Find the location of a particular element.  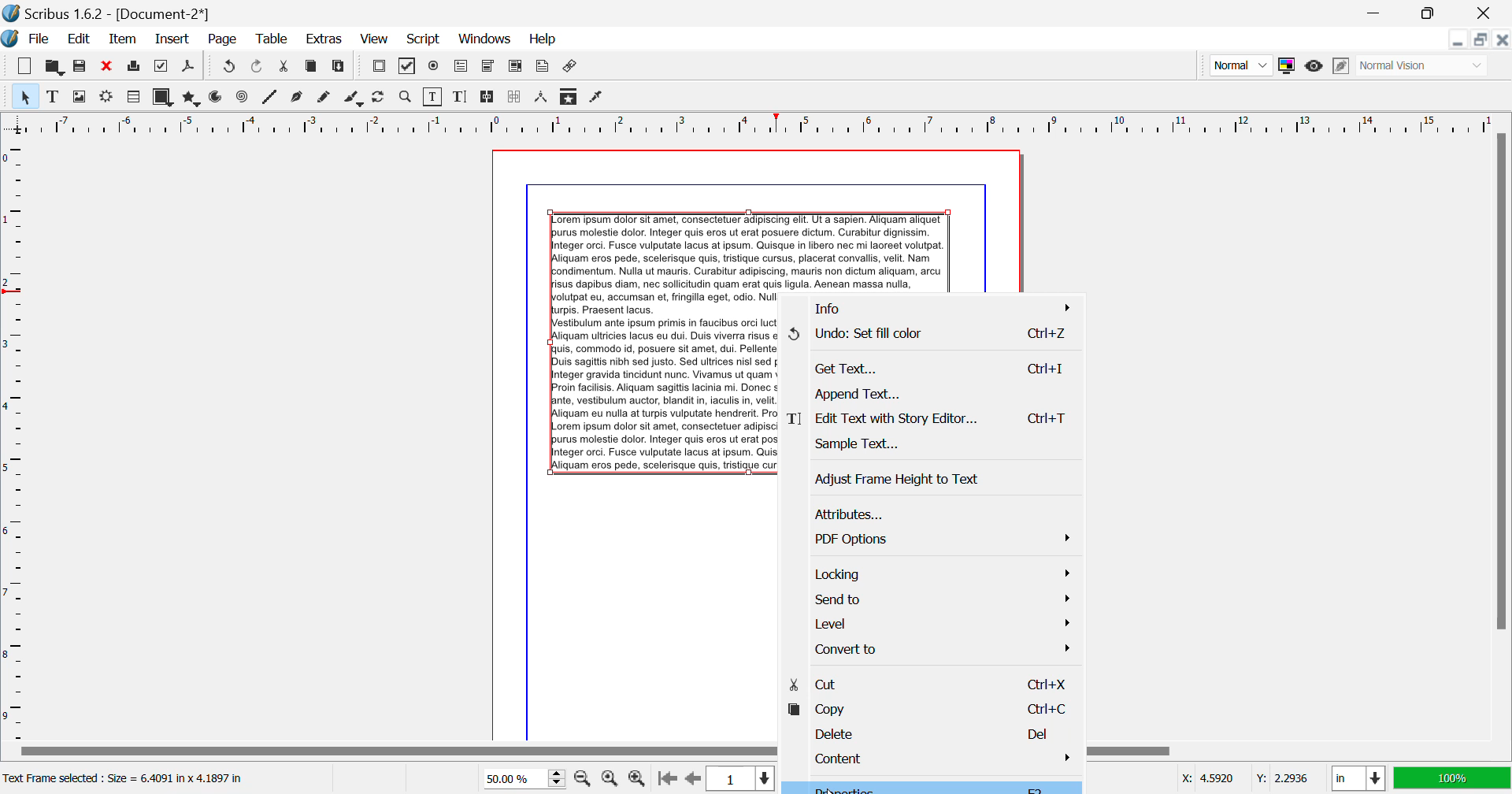

Extras is located at coordinates (322, 39).